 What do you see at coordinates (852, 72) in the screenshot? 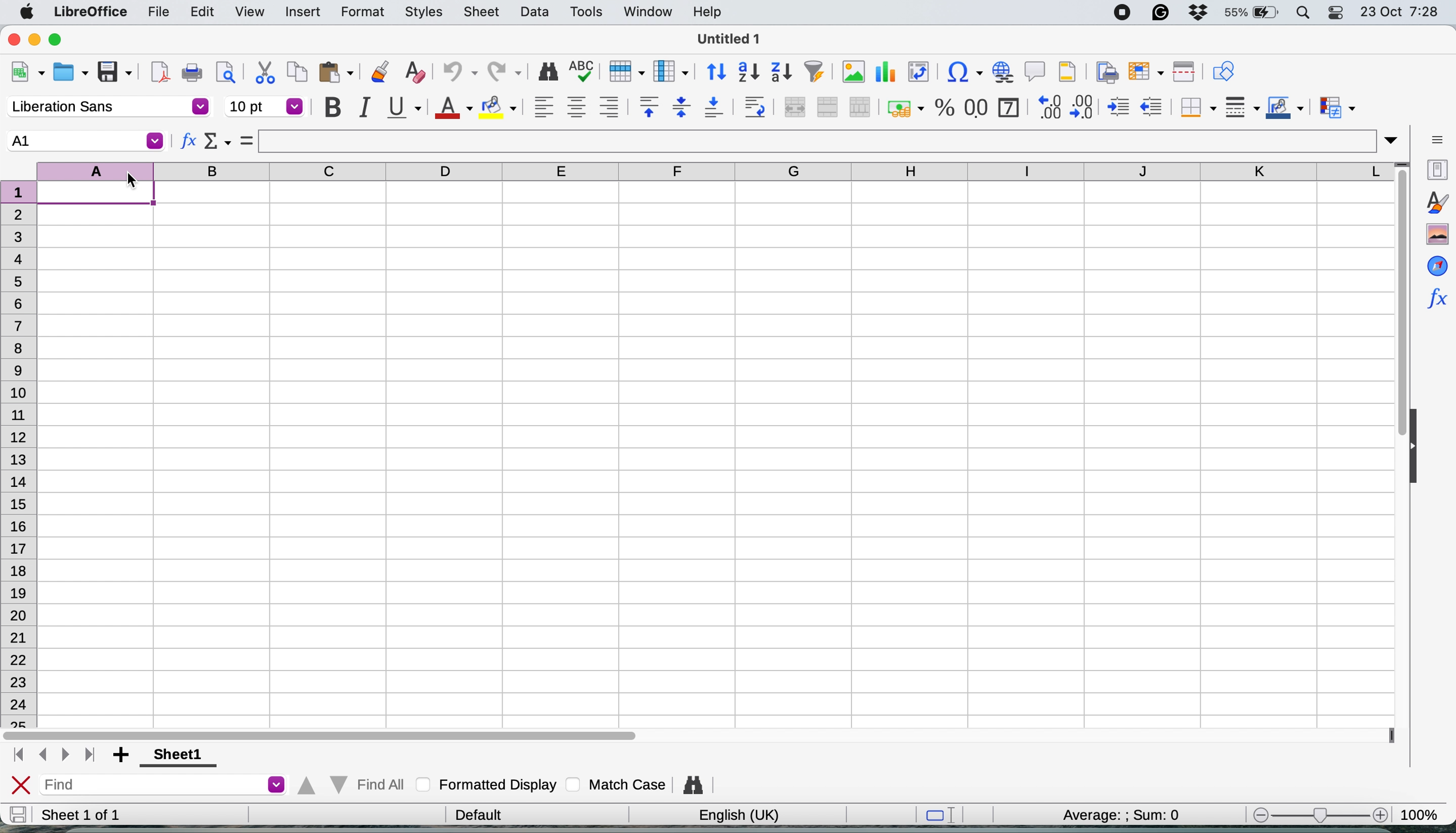
I see `insert chart` at bounding box center [852, 72].